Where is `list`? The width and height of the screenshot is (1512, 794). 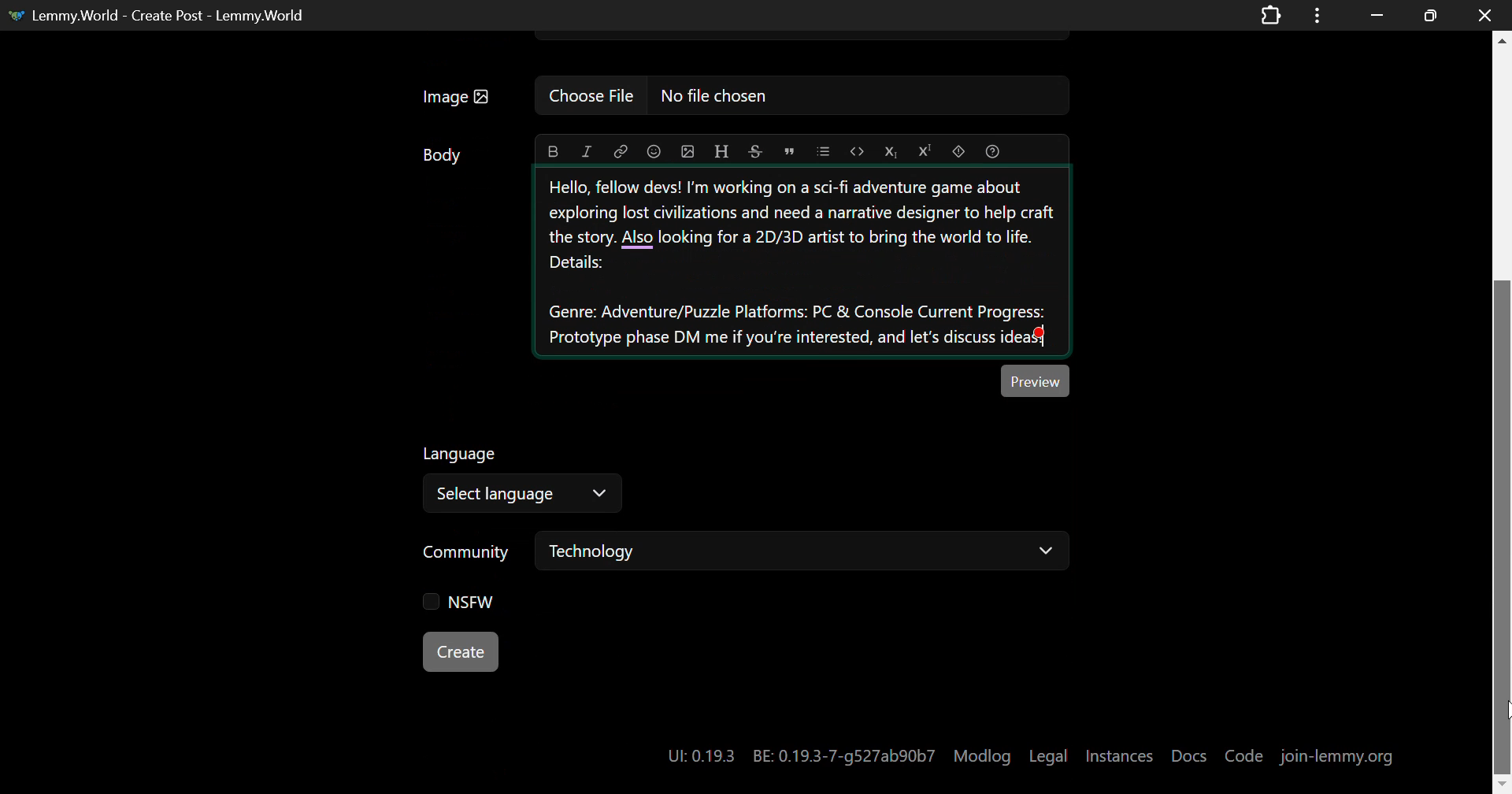
list is located at coordinates (825, 151).